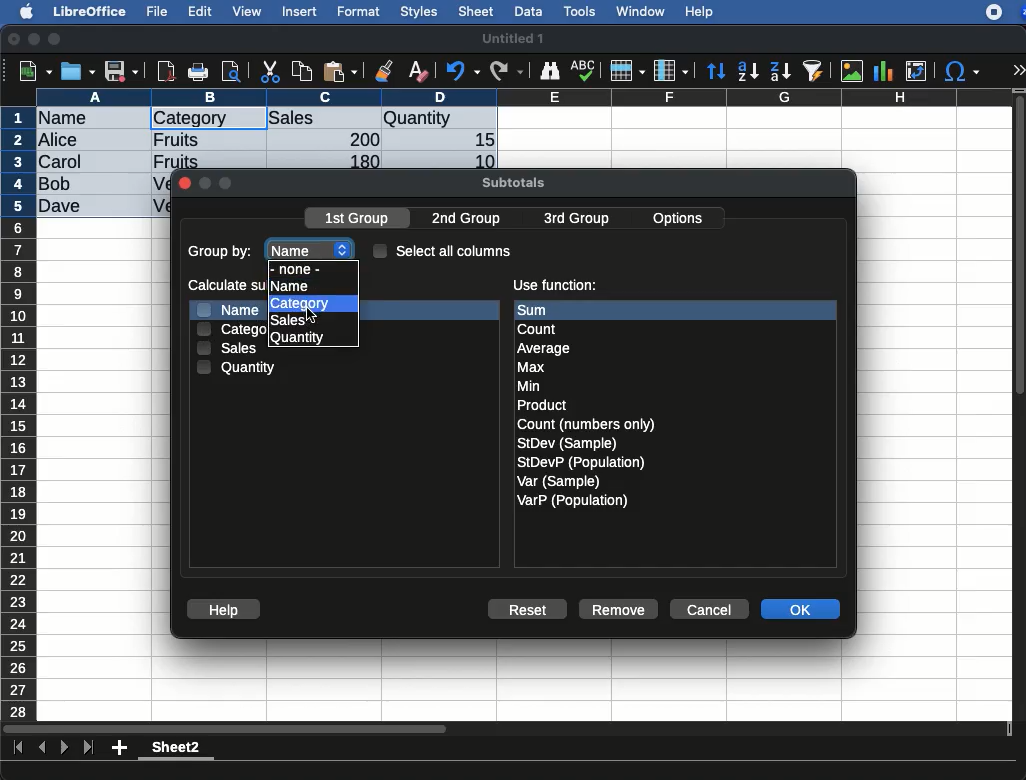  I want to click on row, so click(626, 71).